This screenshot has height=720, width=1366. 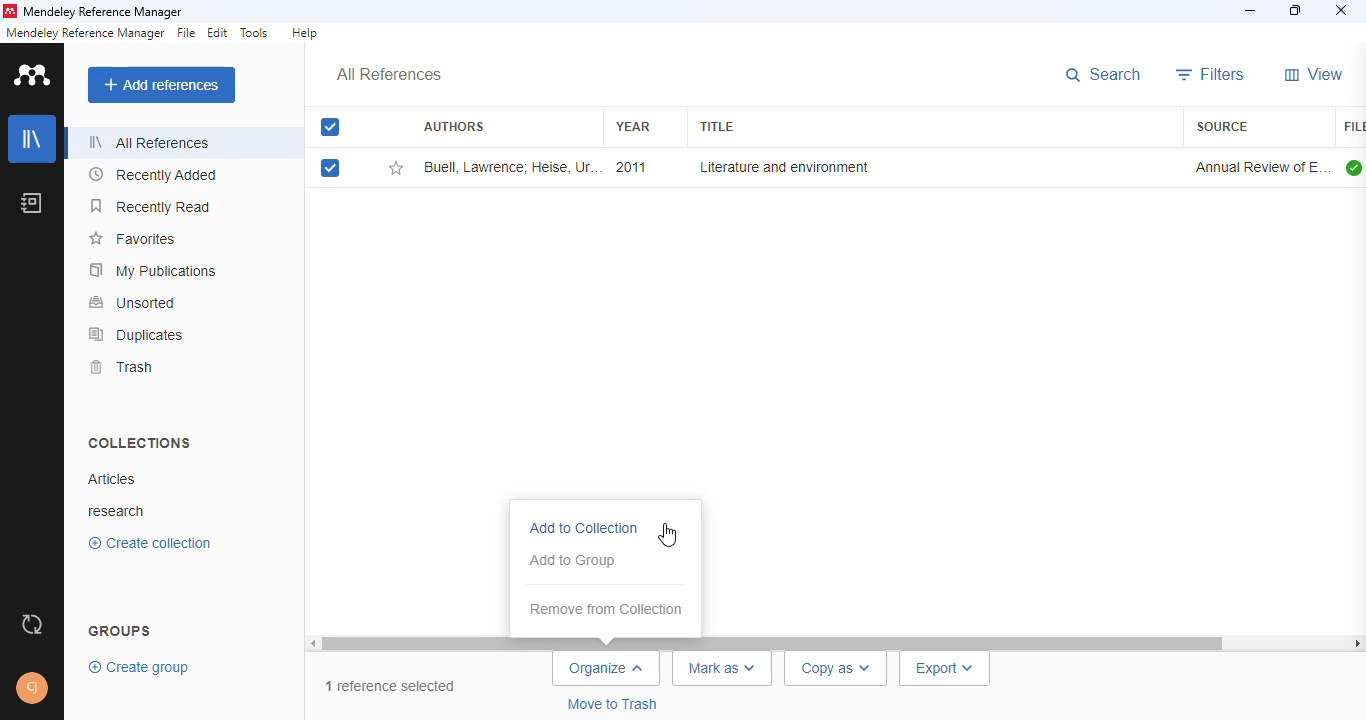 I want to click on mark as, so click(x=723, y=669).